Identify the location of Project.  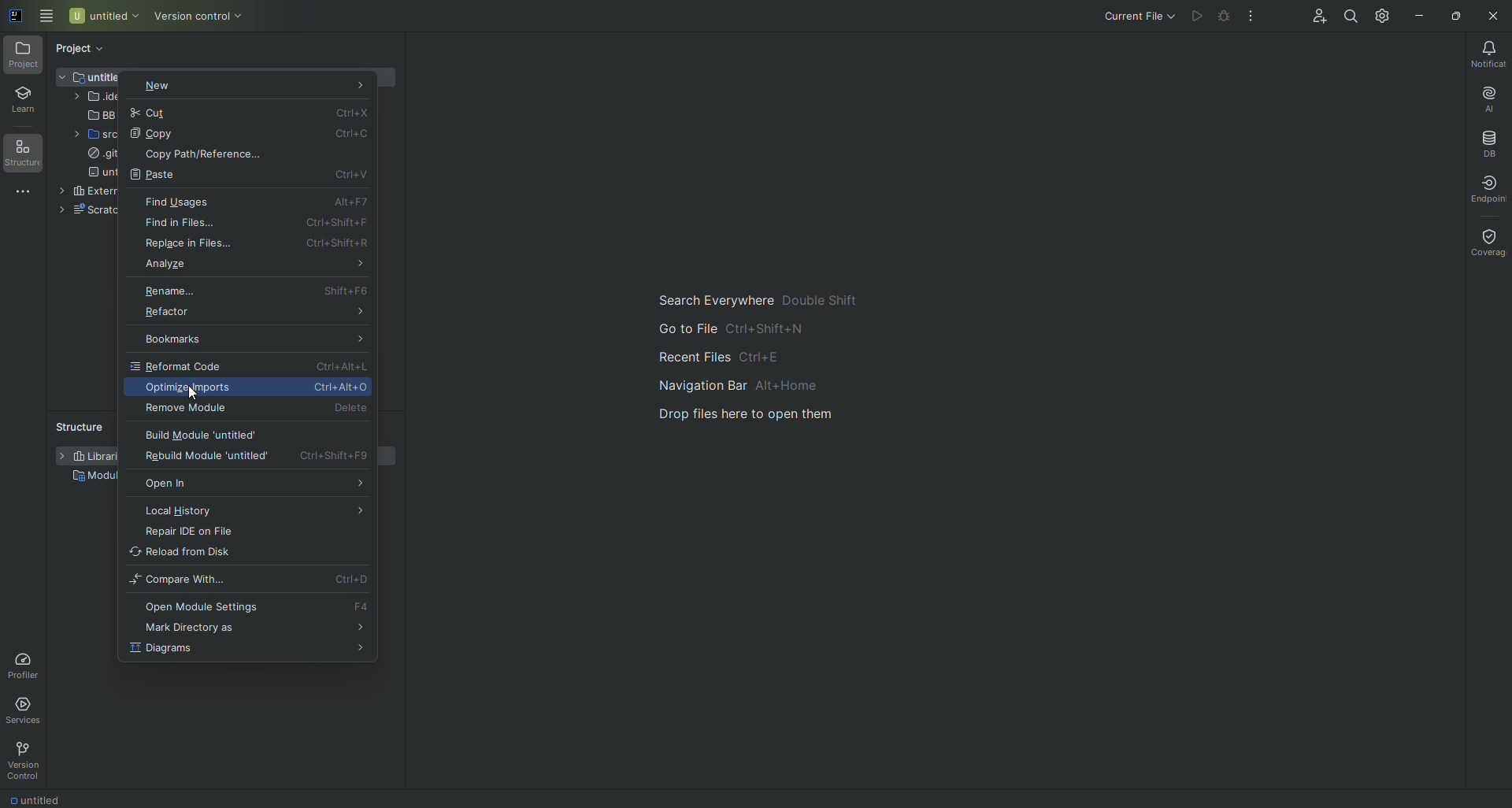
(83, 50).